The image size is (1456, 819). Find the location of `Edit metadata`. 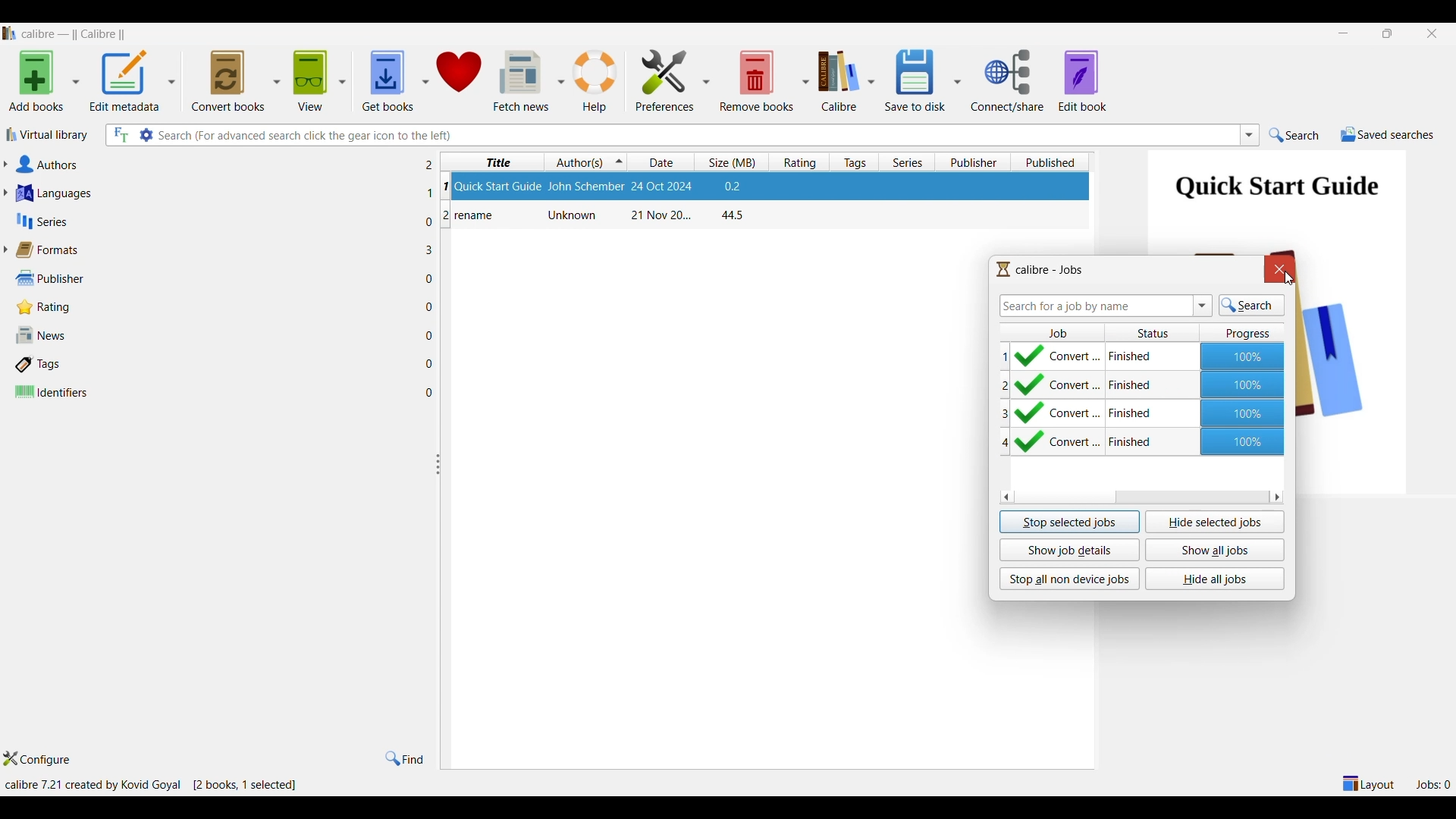

Edit metadata is located at coordinates (125, 81).